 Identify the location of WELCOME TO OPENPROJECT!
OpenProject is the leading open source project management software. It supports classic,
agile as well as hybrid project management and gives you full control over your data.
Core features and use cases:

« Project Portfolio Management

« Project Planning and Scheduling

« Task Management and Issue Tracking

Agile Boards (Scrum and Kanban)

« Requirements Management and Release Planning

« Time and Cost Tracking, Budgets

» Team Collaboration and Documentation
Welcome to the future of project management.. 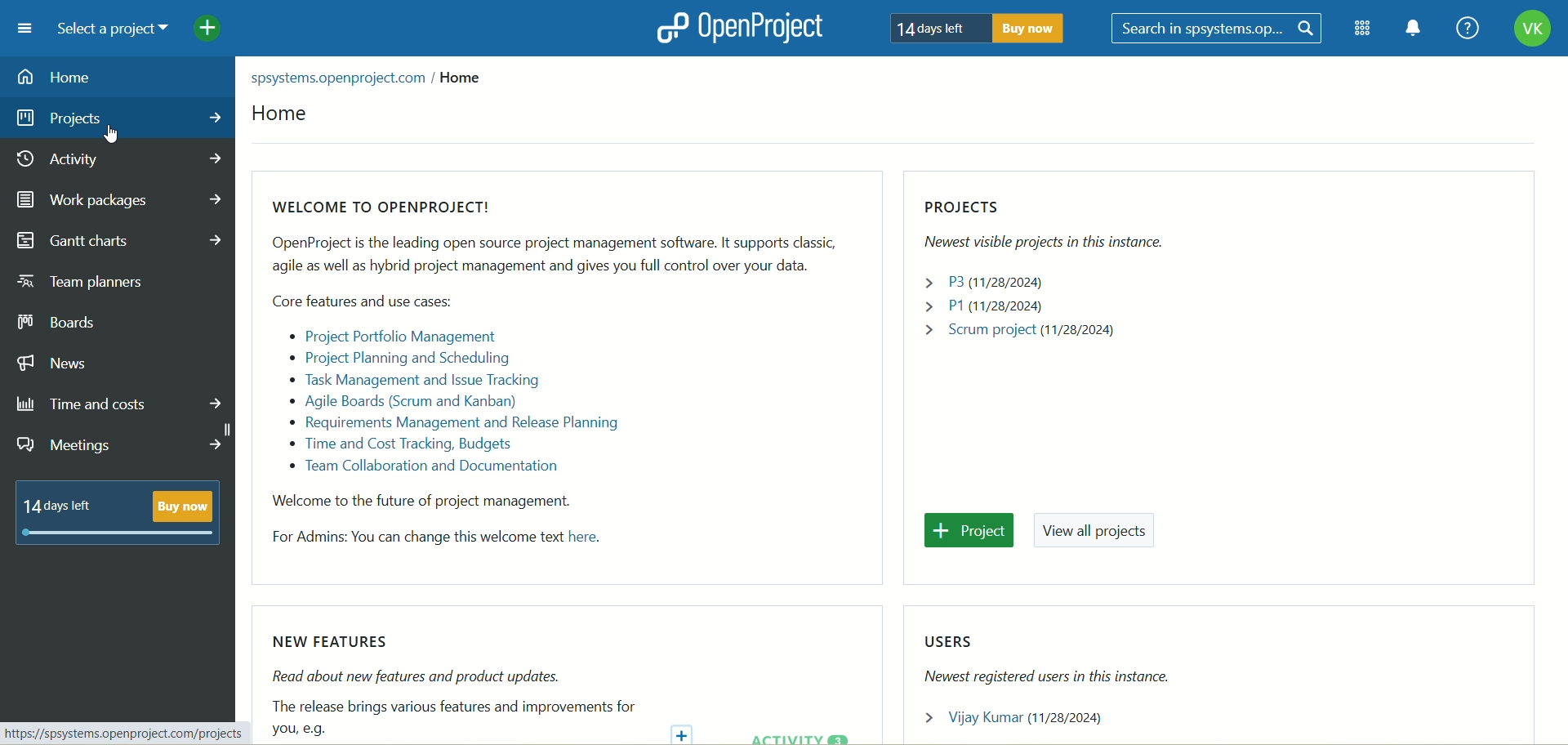
(554, 354).